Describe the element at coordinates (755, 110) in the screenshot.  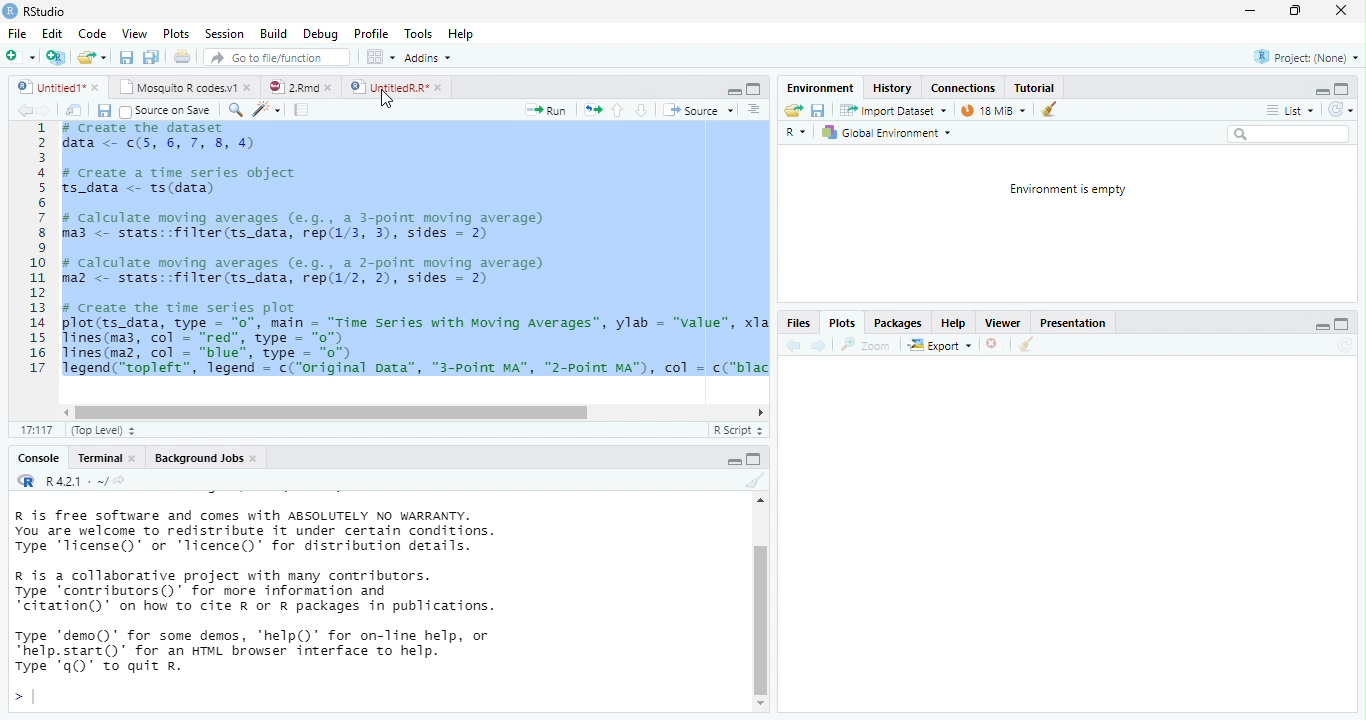
I see `Document outline` at that location.